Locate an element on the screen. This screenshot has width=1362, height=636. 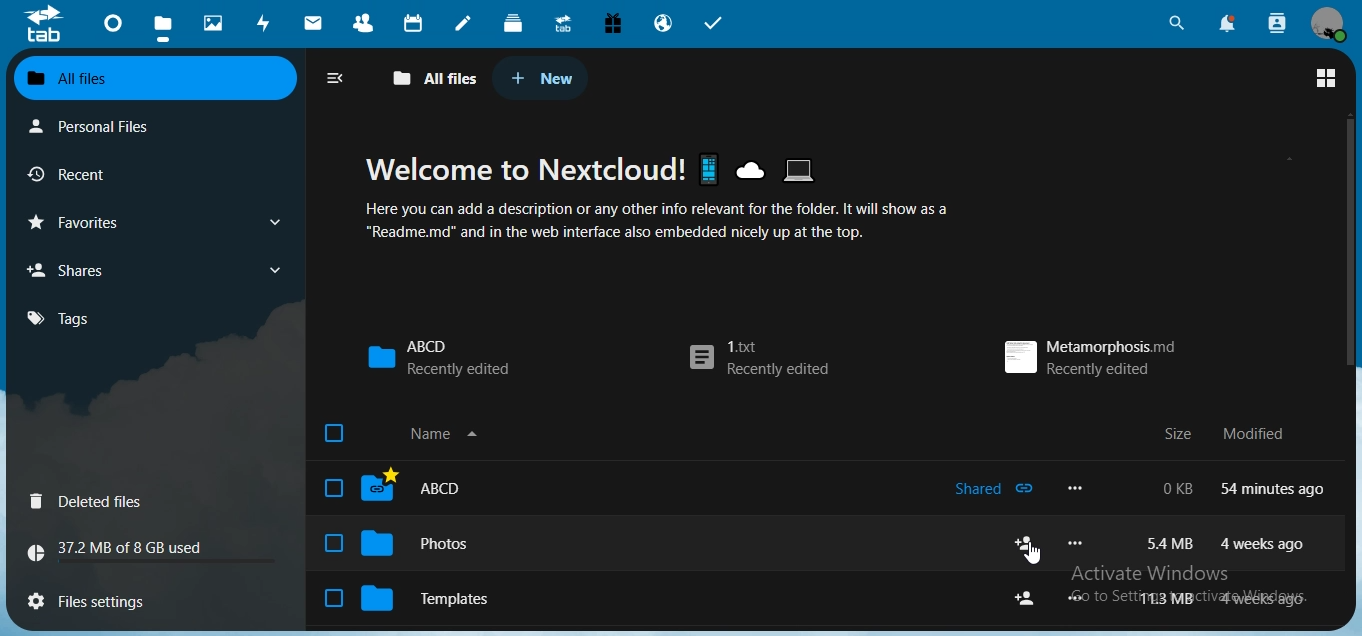
notes is located at coordinates (462, 24).